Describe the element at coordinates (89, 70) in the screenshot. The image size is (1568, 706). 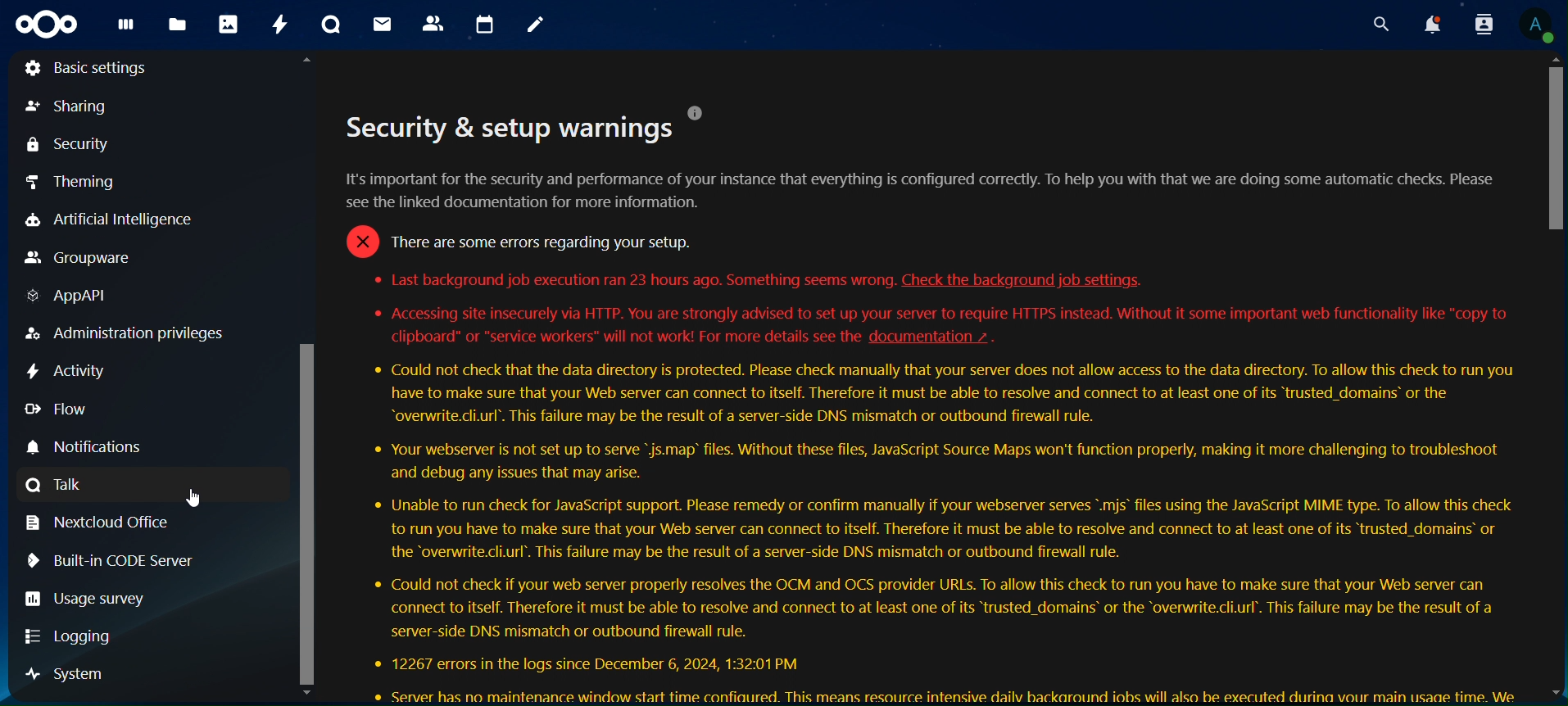
I see `basic settings` at that location.